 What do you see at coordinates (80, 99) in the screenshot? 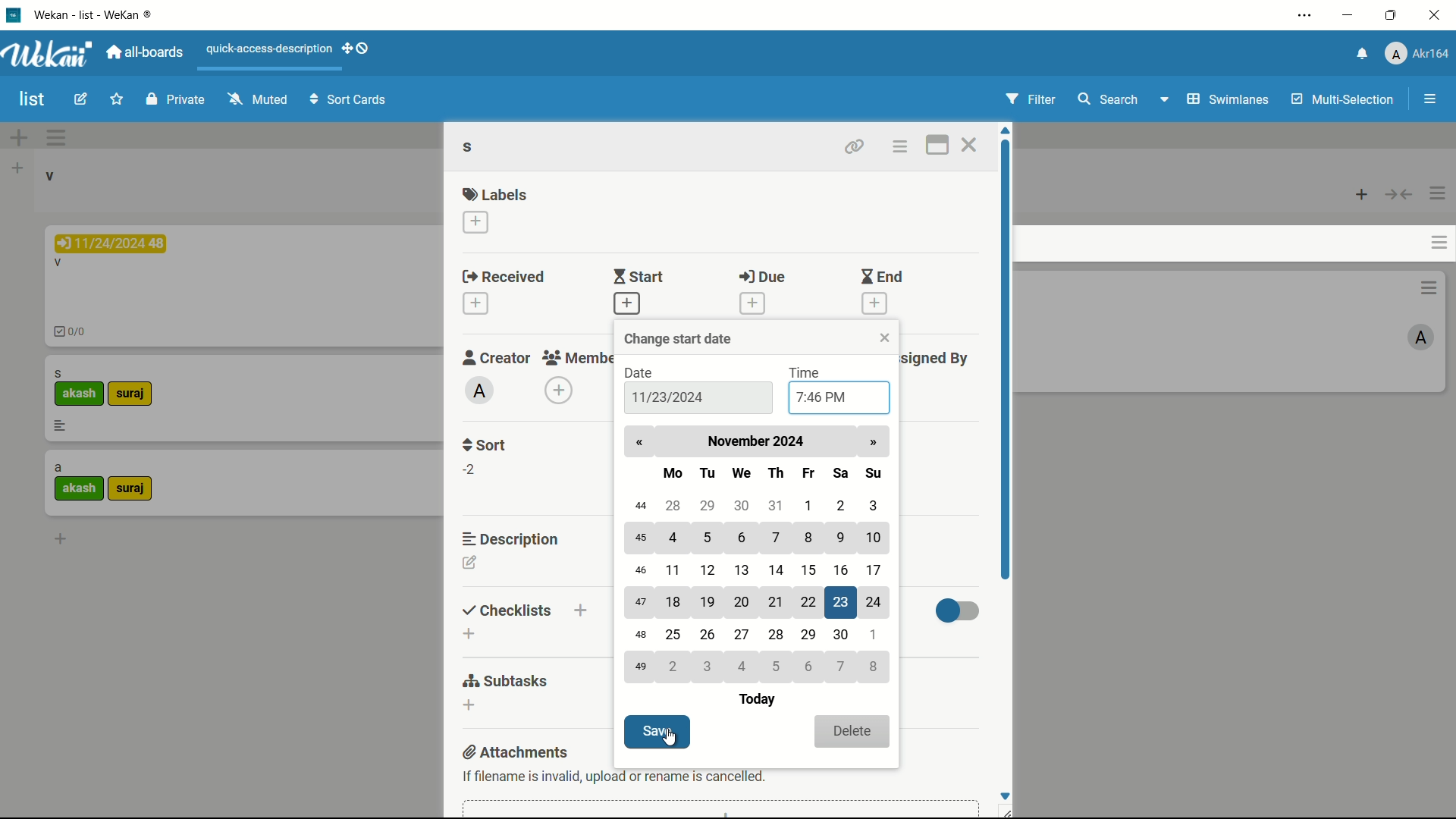
I see `edit` at bounding box center [80, 99].